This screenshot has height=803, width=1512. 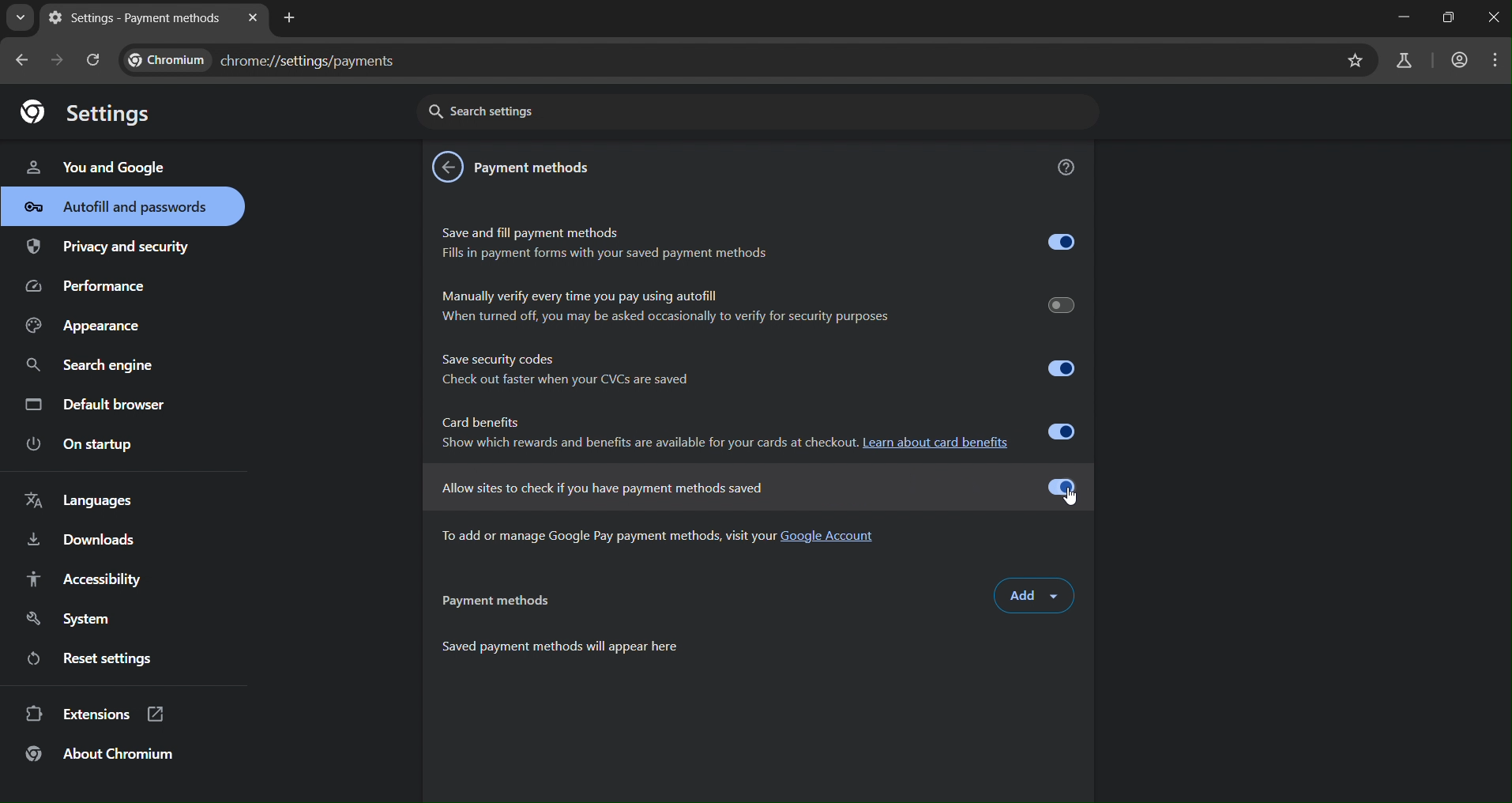 I want to click on restore down, so click(x=1450, y=17).